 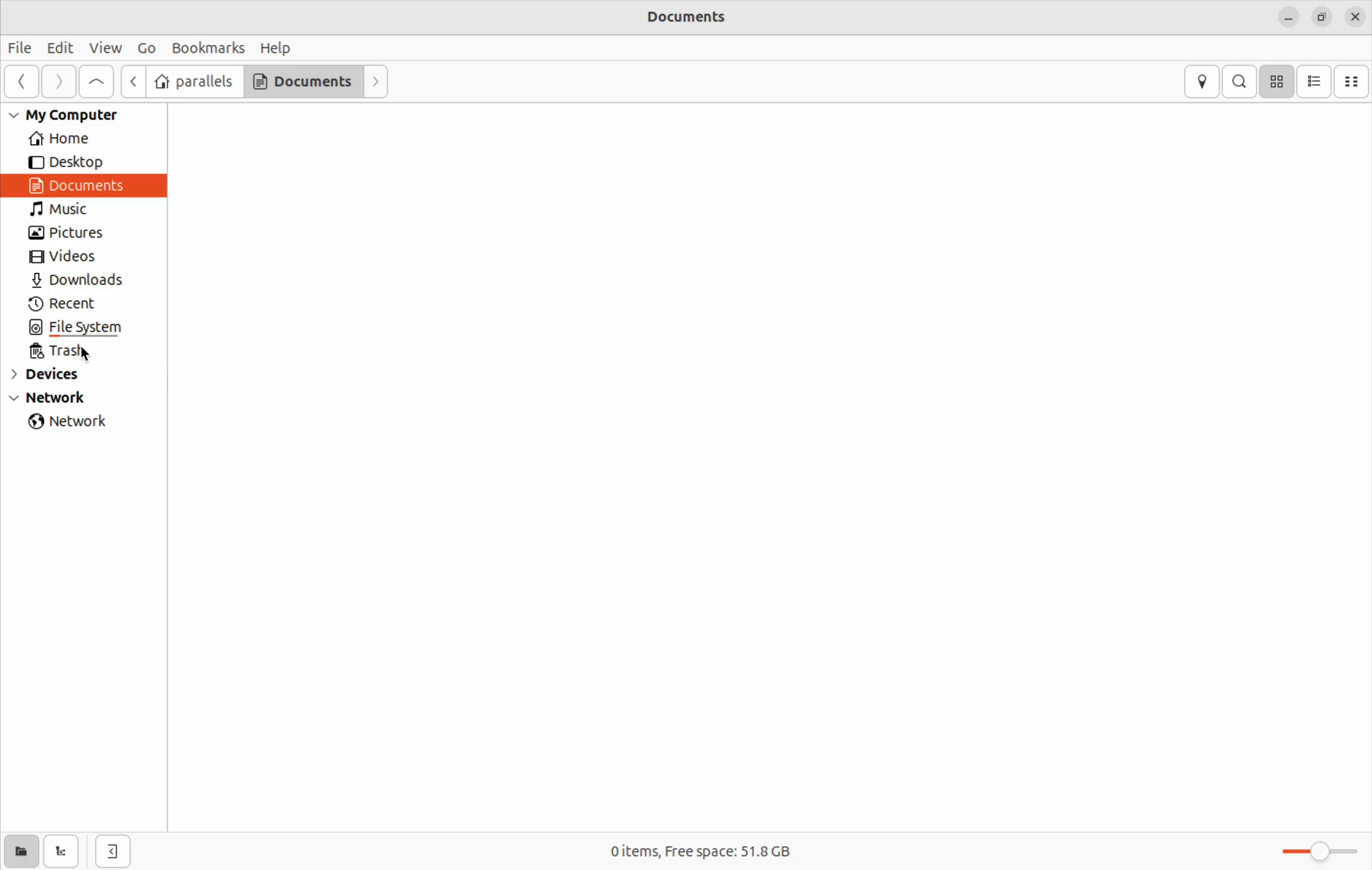 I want to click on show places, so click(x=20, y=851).